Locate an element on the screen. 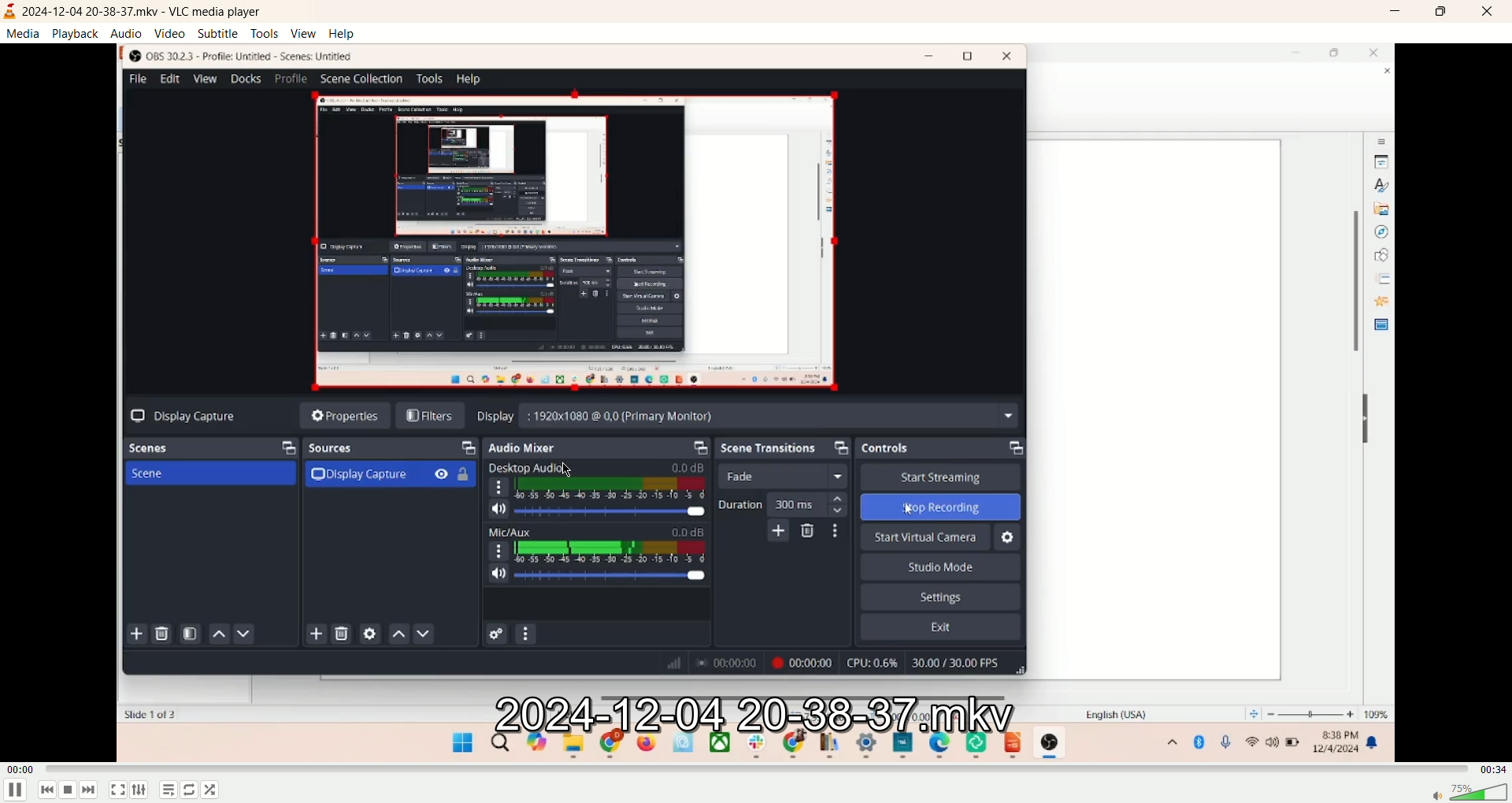 The height and width of the screenshot is (803, 1512). Help is located at coordinates (343, 33).